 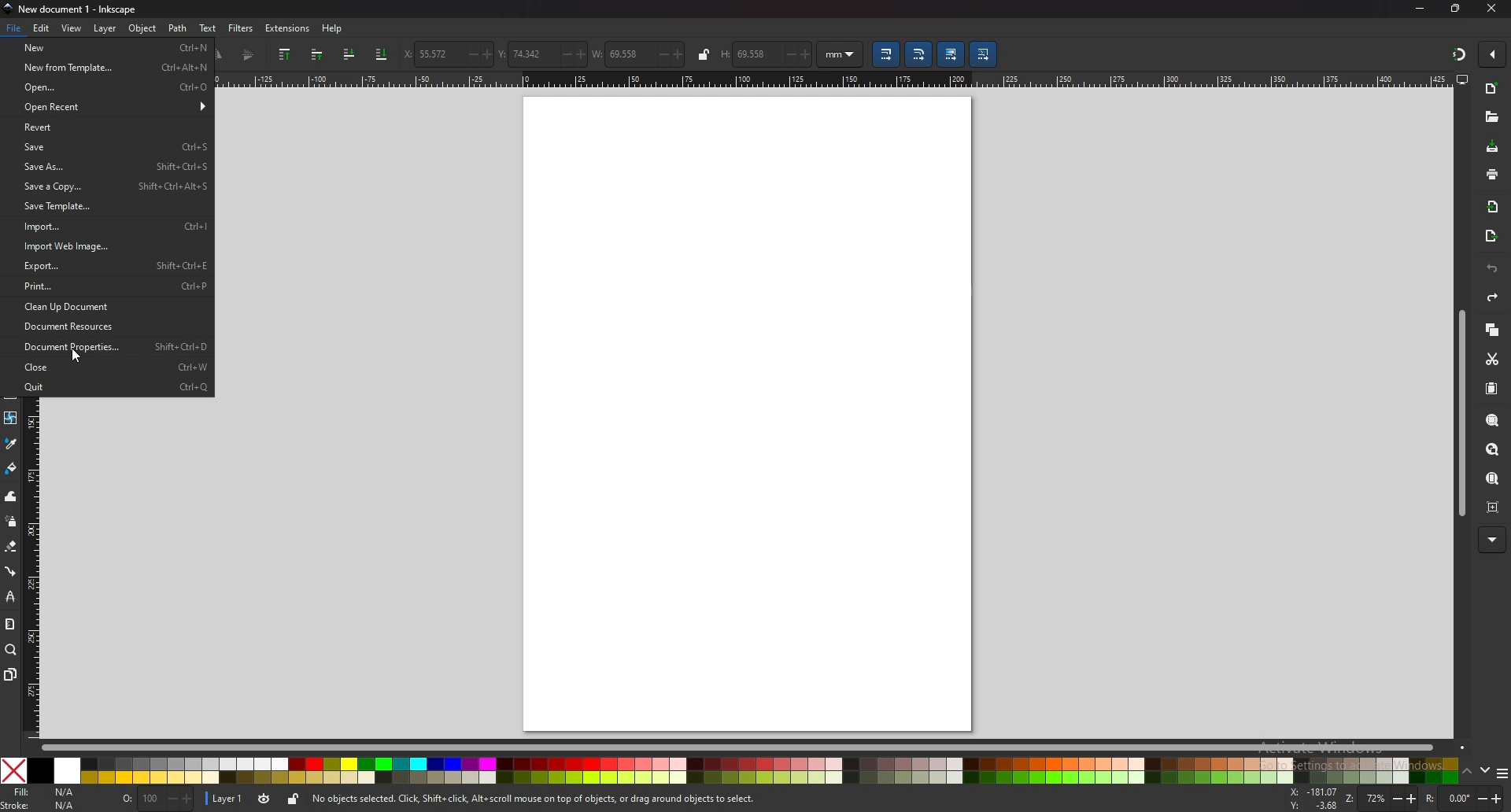 I want to click on extensions, so click(x=286, y=29).